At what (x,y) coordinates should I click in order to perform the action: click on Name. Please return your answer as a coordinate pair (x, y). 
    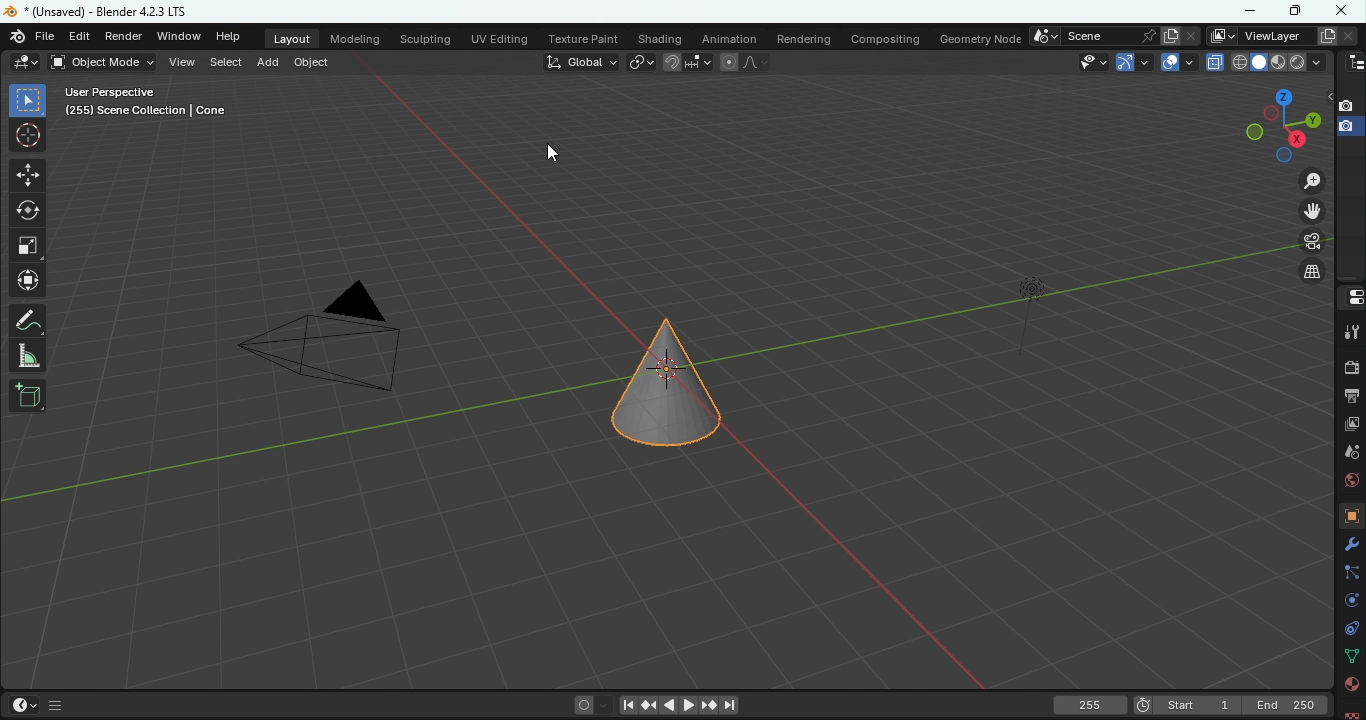
    Looking at the image, I should click on (1273, 34).